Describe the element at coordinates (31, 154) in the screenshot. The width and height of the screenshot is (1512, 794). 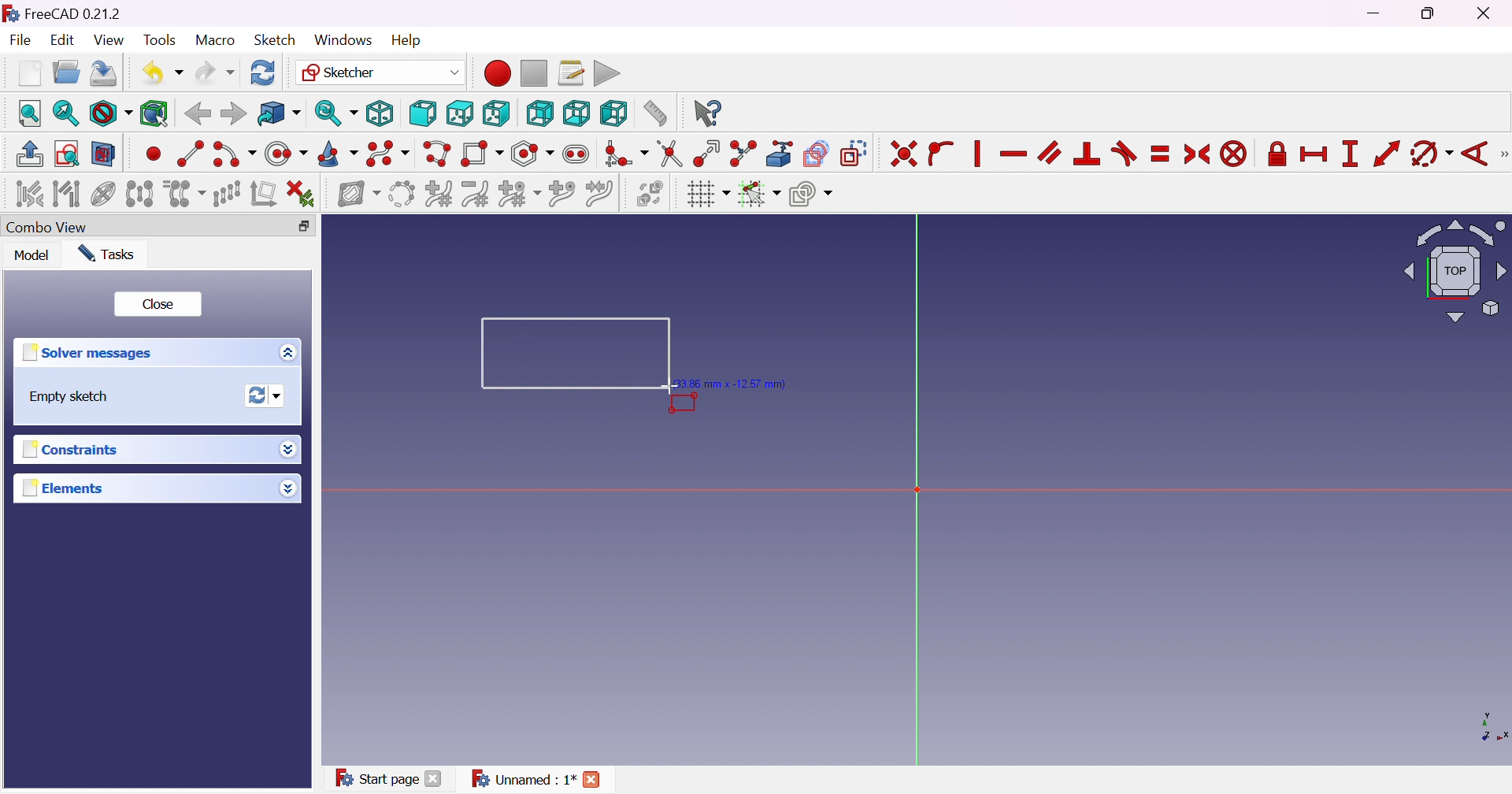
I see `Leave sketch` at that location.